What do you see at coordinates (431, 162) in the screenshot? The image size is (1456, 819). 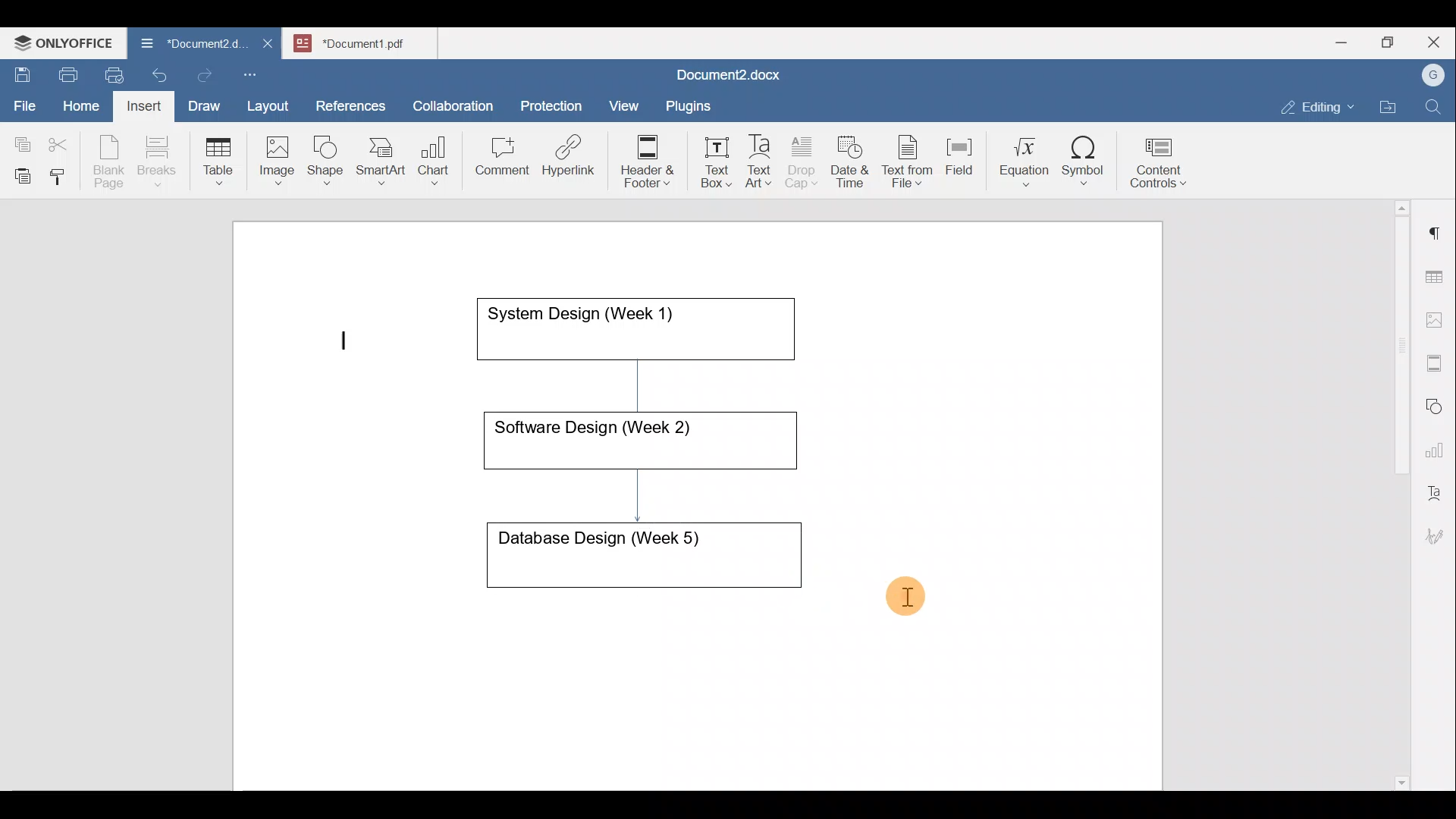 I see `Chart` at bounding box center [431, 162].